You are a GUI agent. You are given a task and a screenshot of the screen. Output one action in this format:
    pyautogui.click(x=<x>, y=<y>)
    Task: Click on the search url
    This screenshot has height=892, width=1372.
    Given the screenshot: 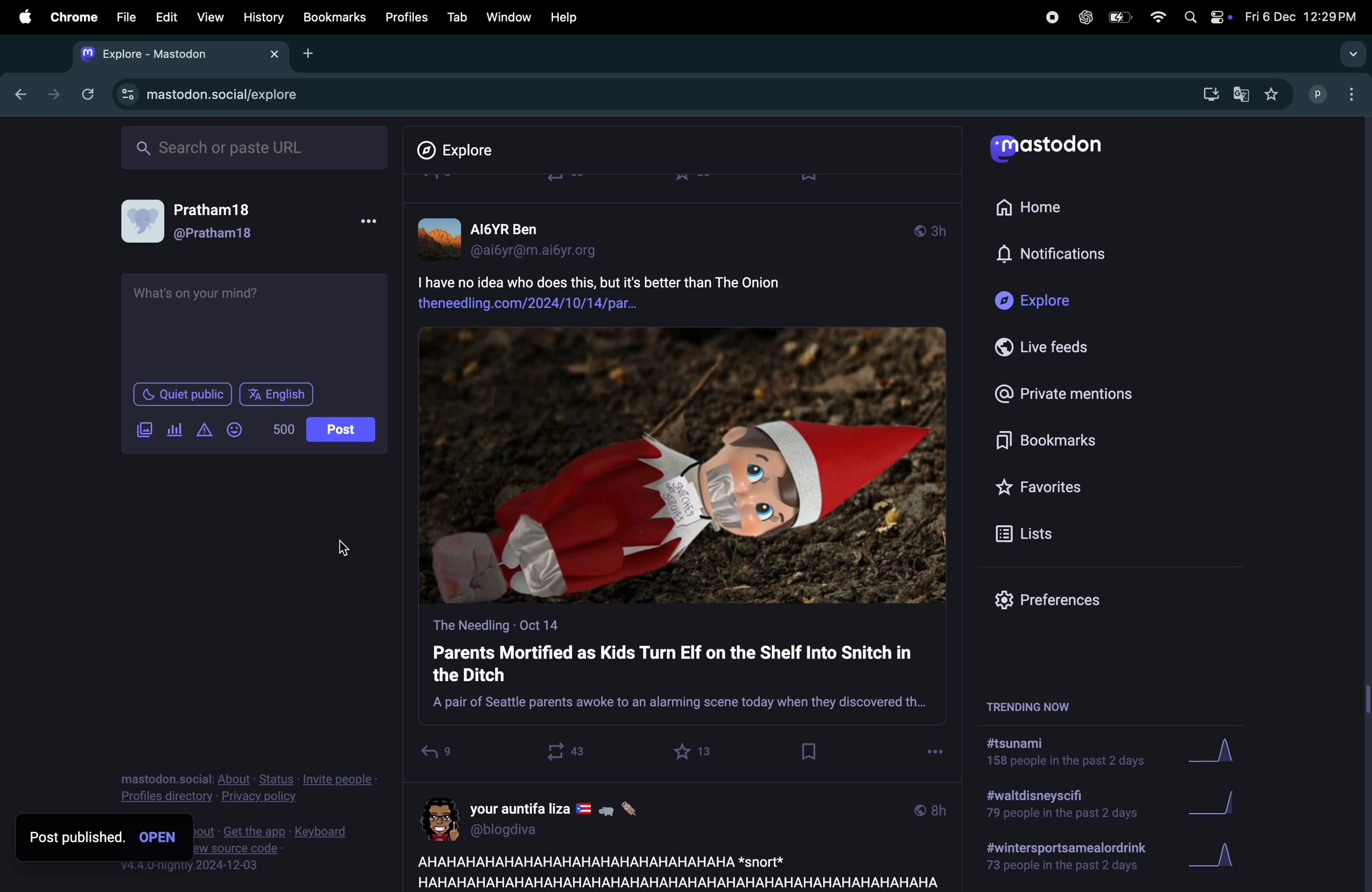 What is the action you would take?
    pyautogui.click(x=257, y=146)
    